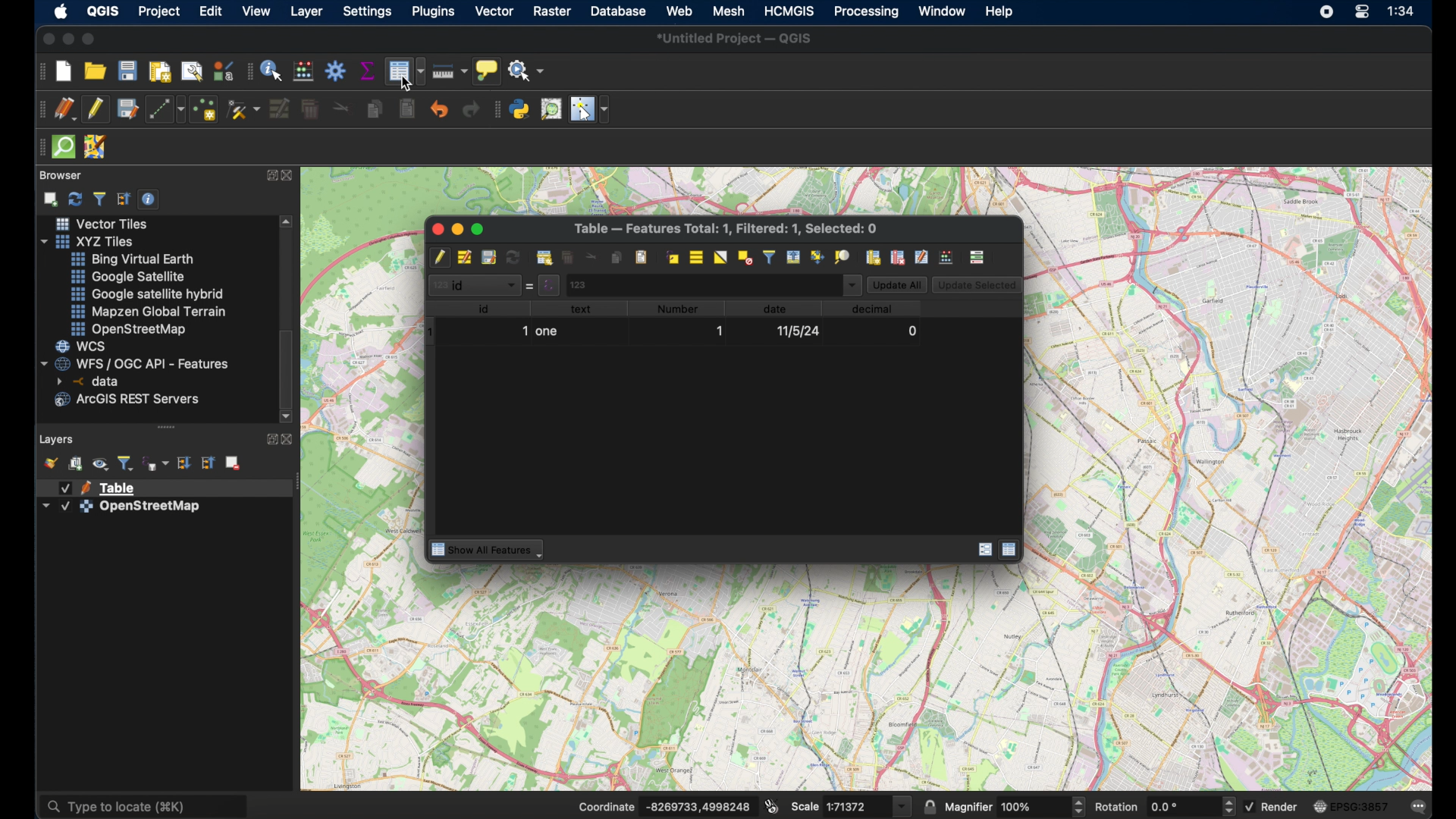  Describe the element at coordinates (67, 39) in the screenshot. I see `minimize` at that location.